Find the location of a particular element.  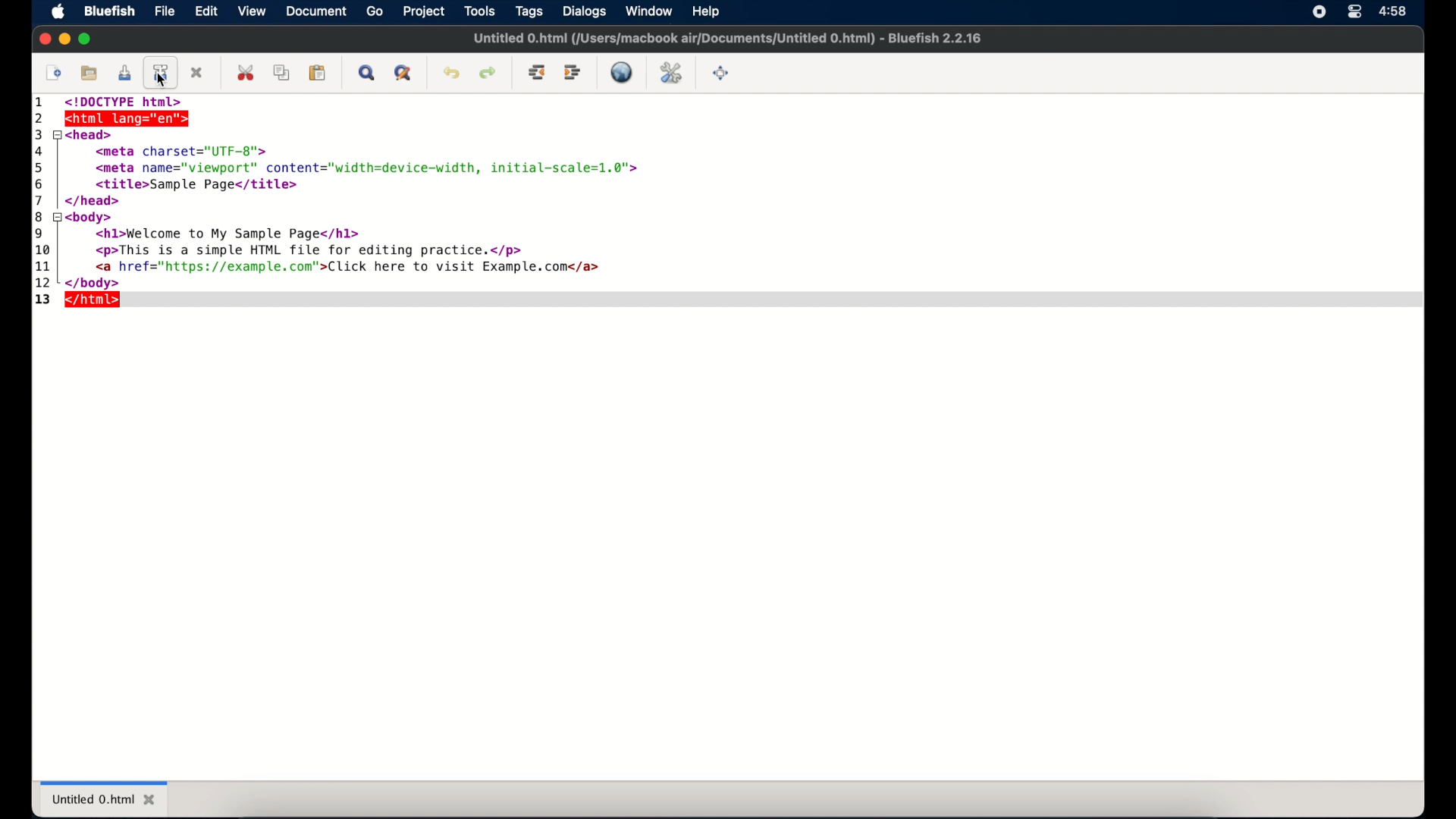

edit is located at coordinates (207, 11).